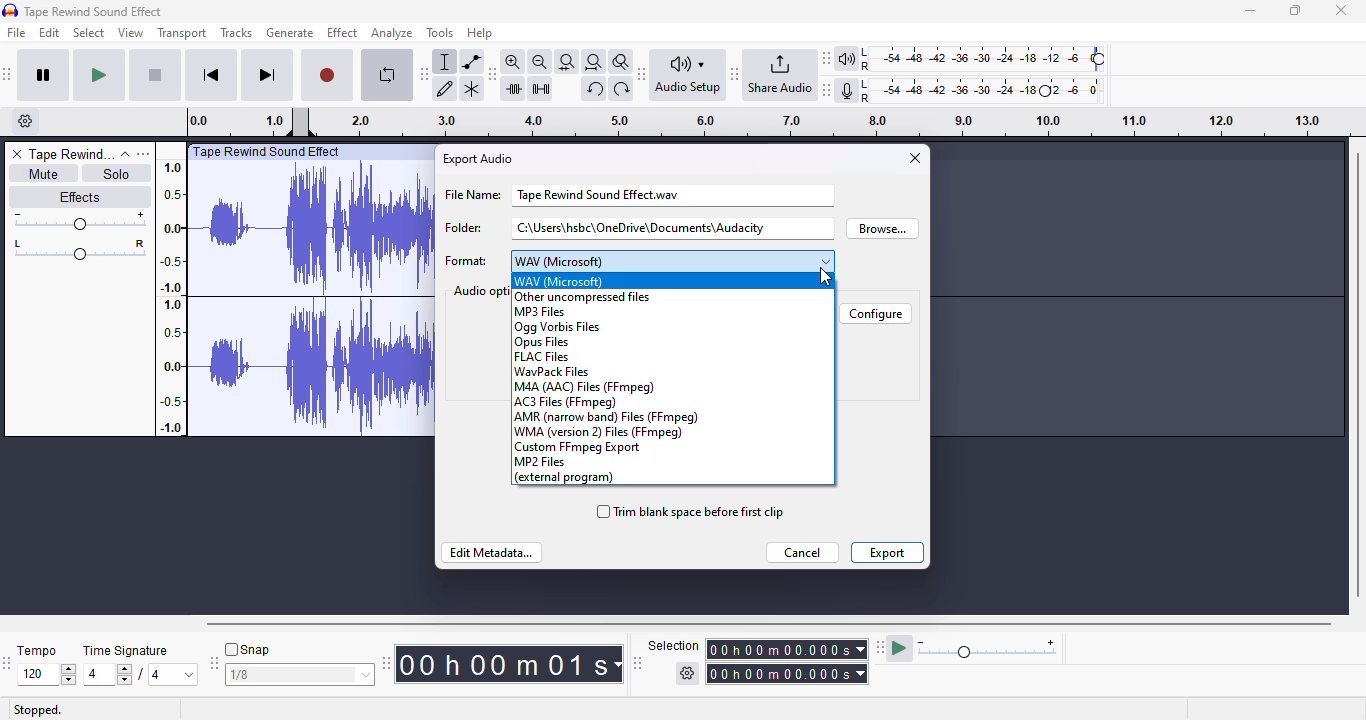 The image size is (1366, 720). What do you see at coordinates (541, 91) in the screenshot?
I see `silence audio selection` at bounding box center [541, 91].